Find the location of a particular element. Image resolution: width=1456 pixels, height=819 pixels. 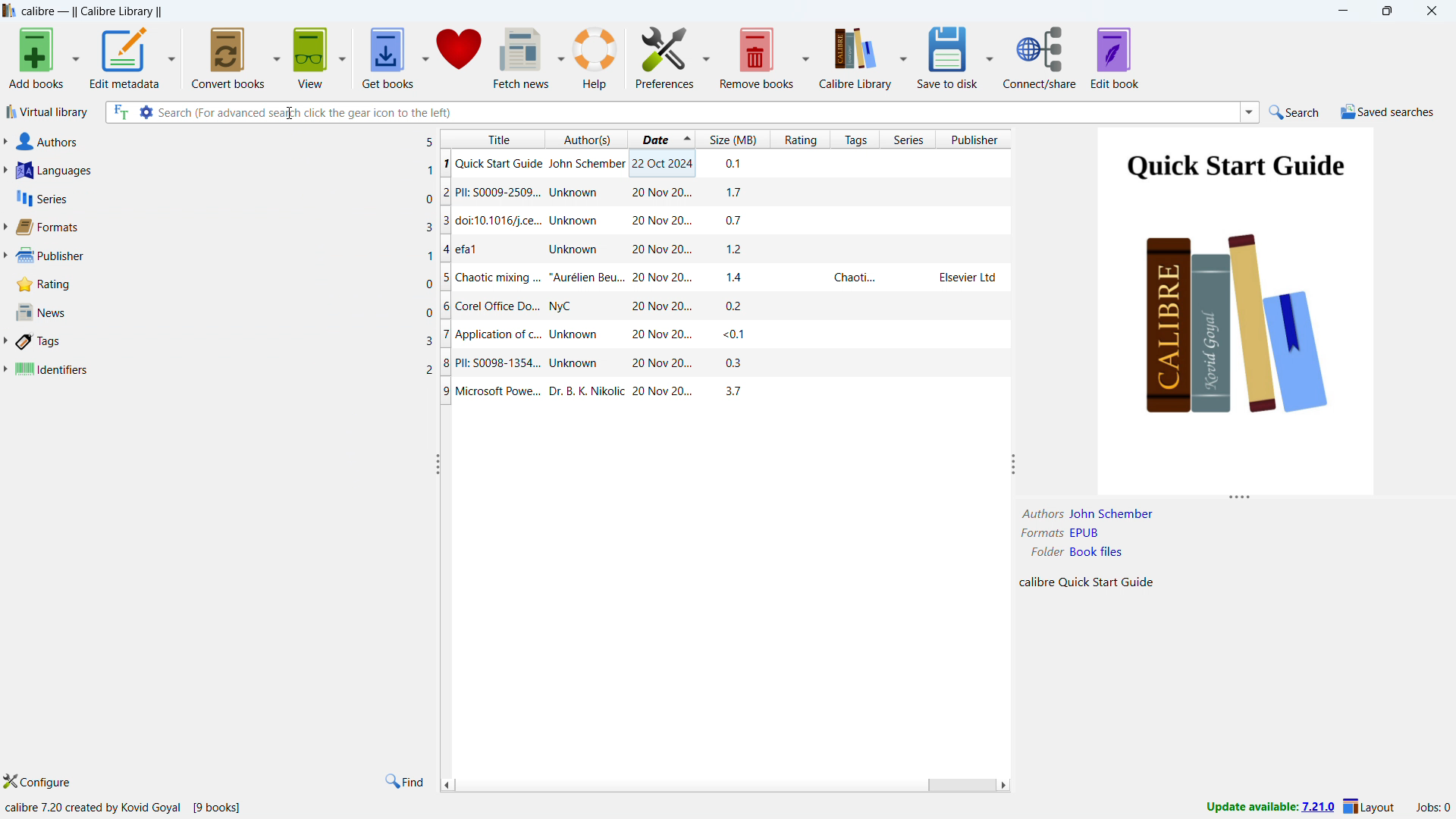

Folder is located at coordinates (1037, 555).